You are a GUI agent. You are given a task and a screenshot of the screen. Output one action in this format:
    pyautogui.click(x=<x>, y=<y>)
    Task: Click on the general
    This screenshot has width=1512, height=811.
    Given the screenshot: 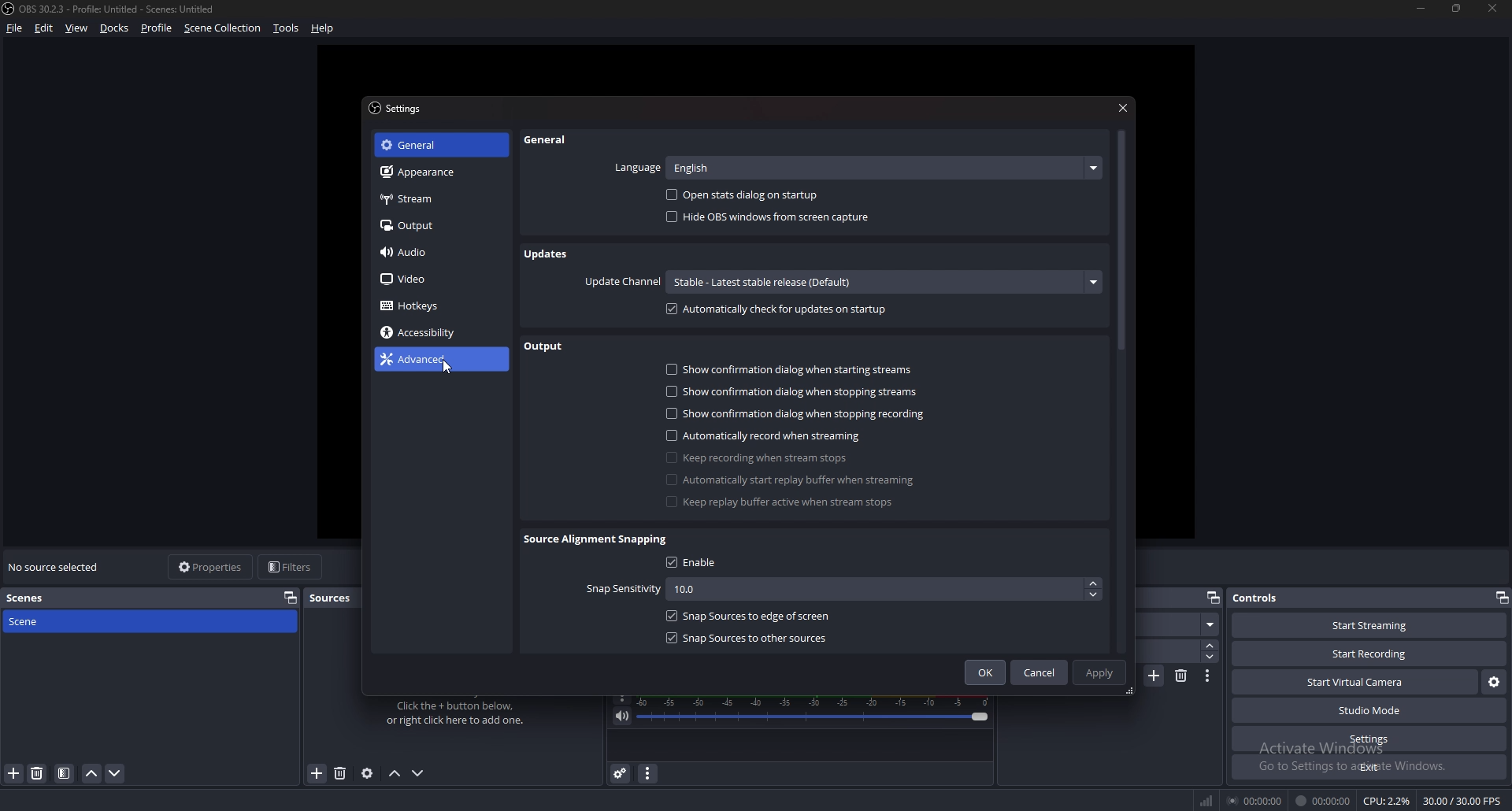 What is the action you would take?
    pyautogui.click(x=546, y=140)
    